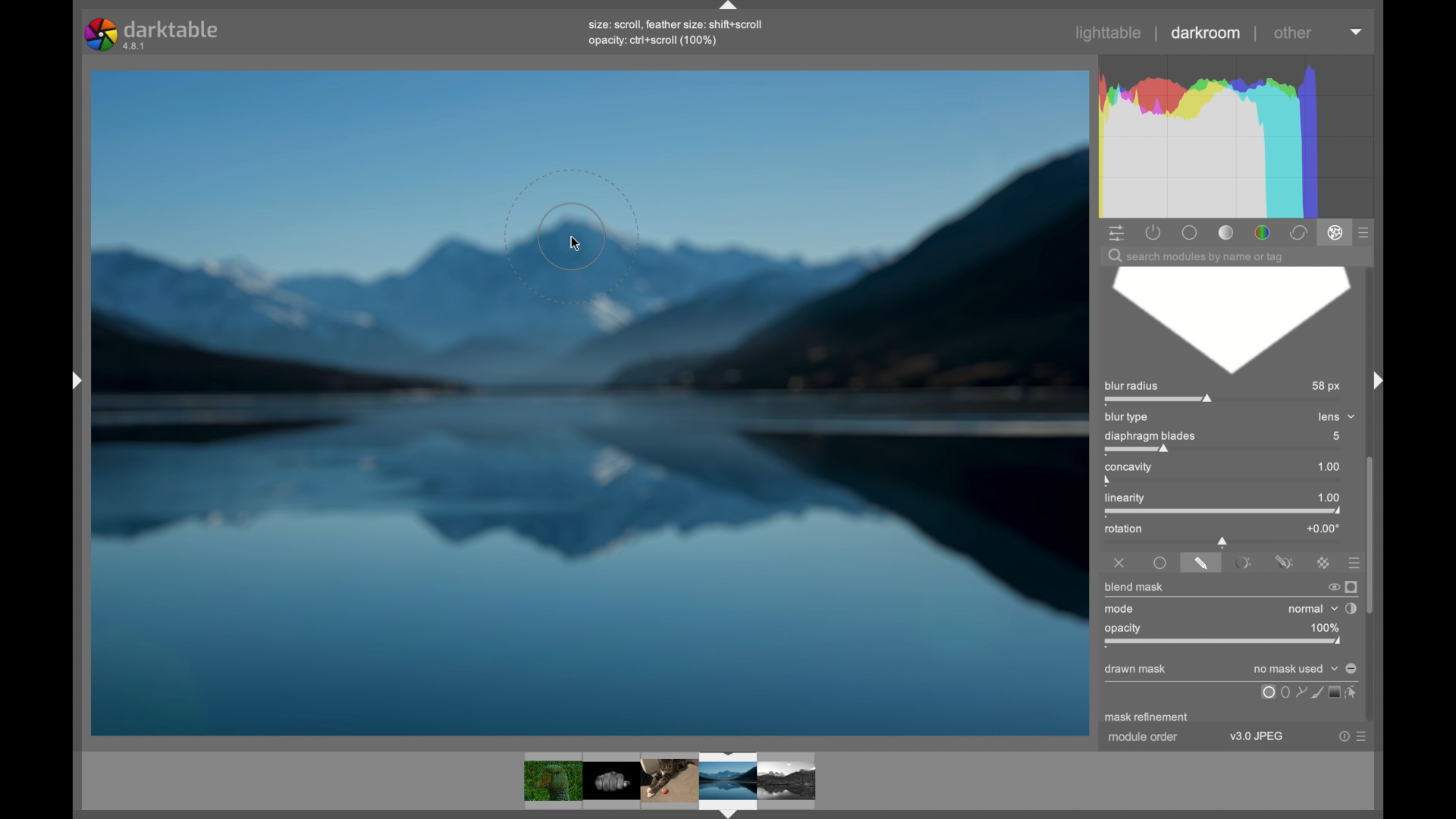 This screenshot has width=1456, height=819. I want to click on darkroom, so click(1207, 33).